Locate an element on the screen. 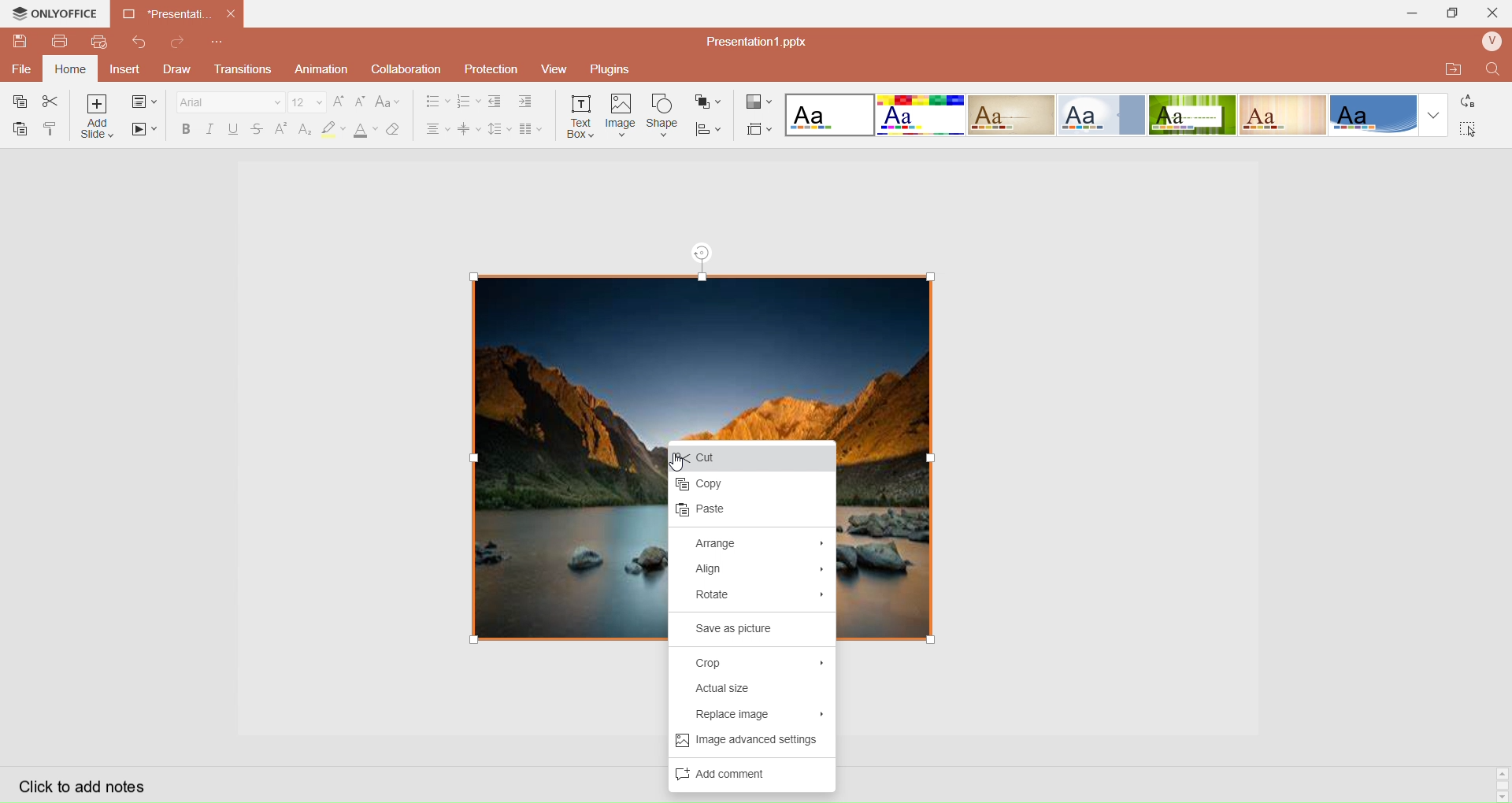 The height and width of the screenshot is (803, 1512). Save as picture is located at coordinates (748, 630).